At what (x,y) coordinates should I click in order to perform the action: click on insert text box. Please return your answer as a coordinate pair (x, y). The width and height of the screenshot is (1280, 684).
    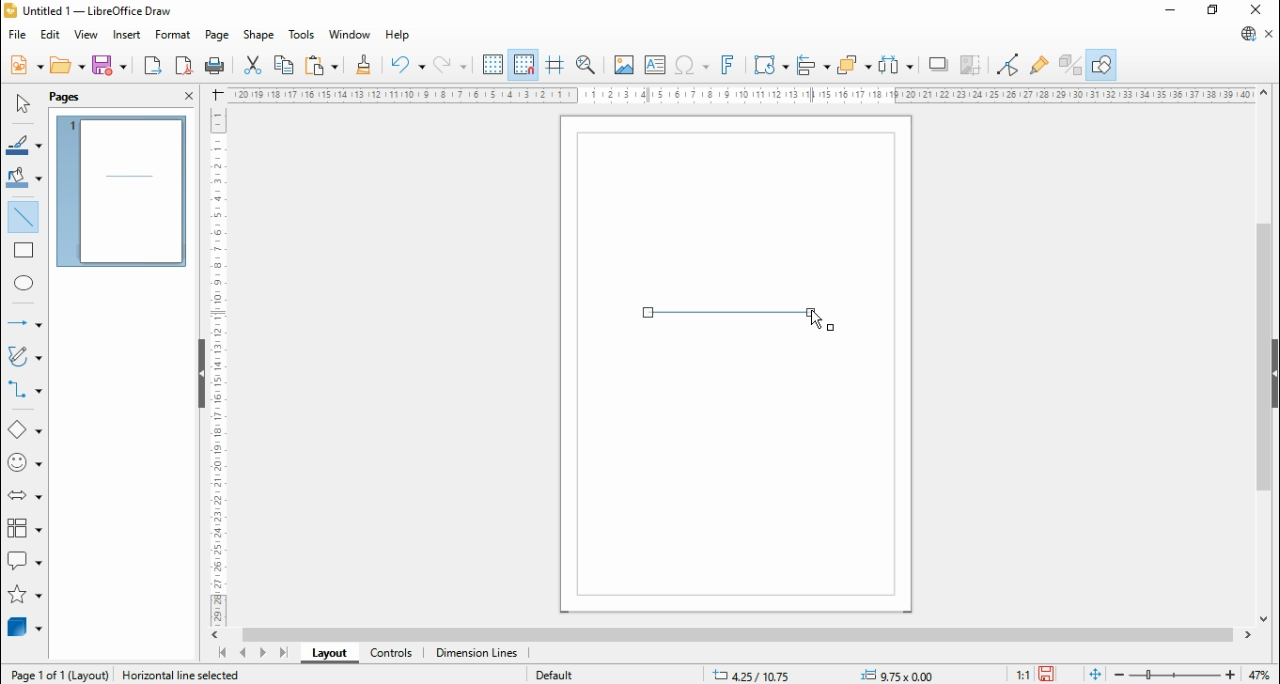
    Looking at the image, I should click on (653, 64).